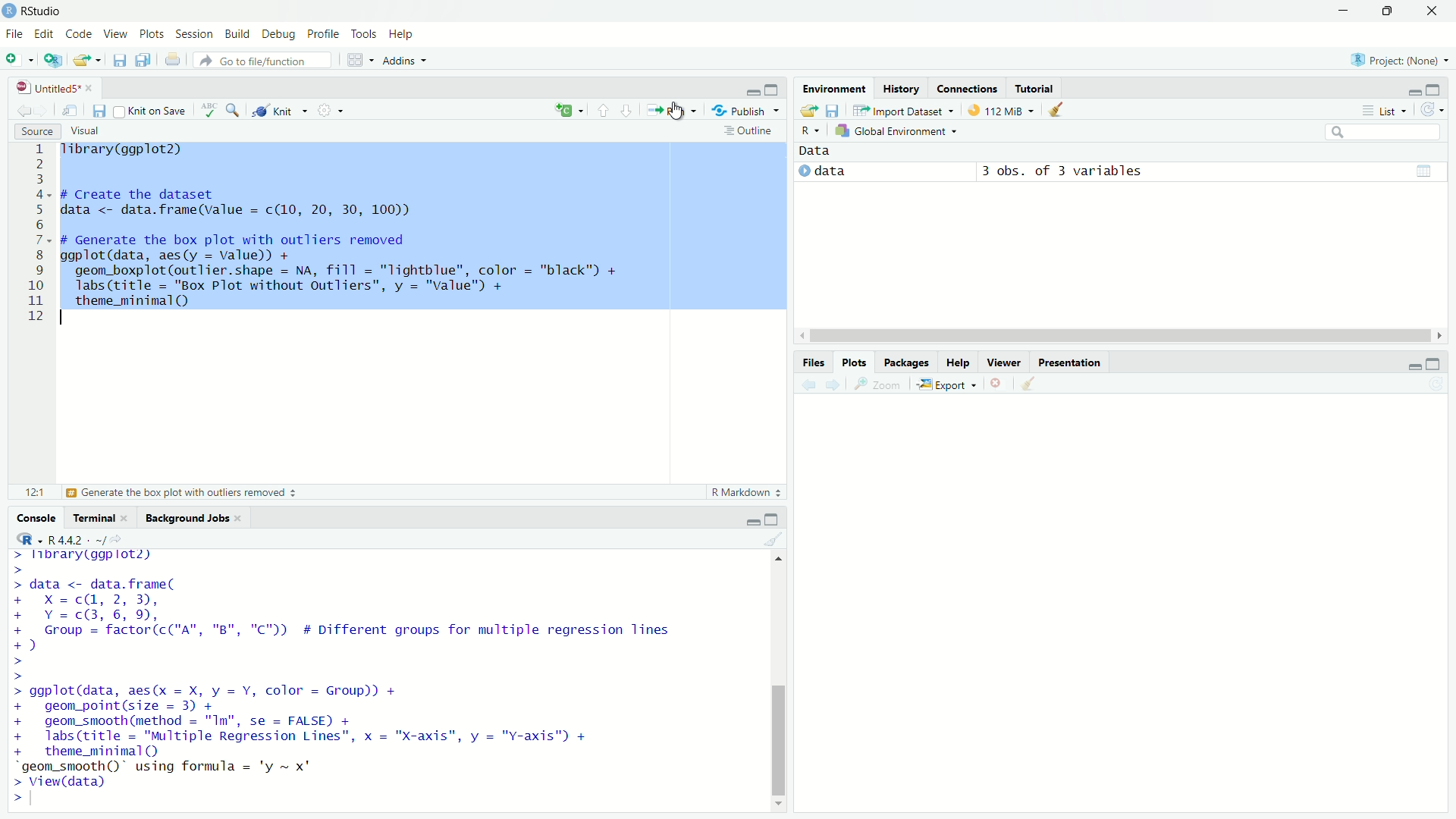  I want to click on Background Jobs, so click(196, 518).